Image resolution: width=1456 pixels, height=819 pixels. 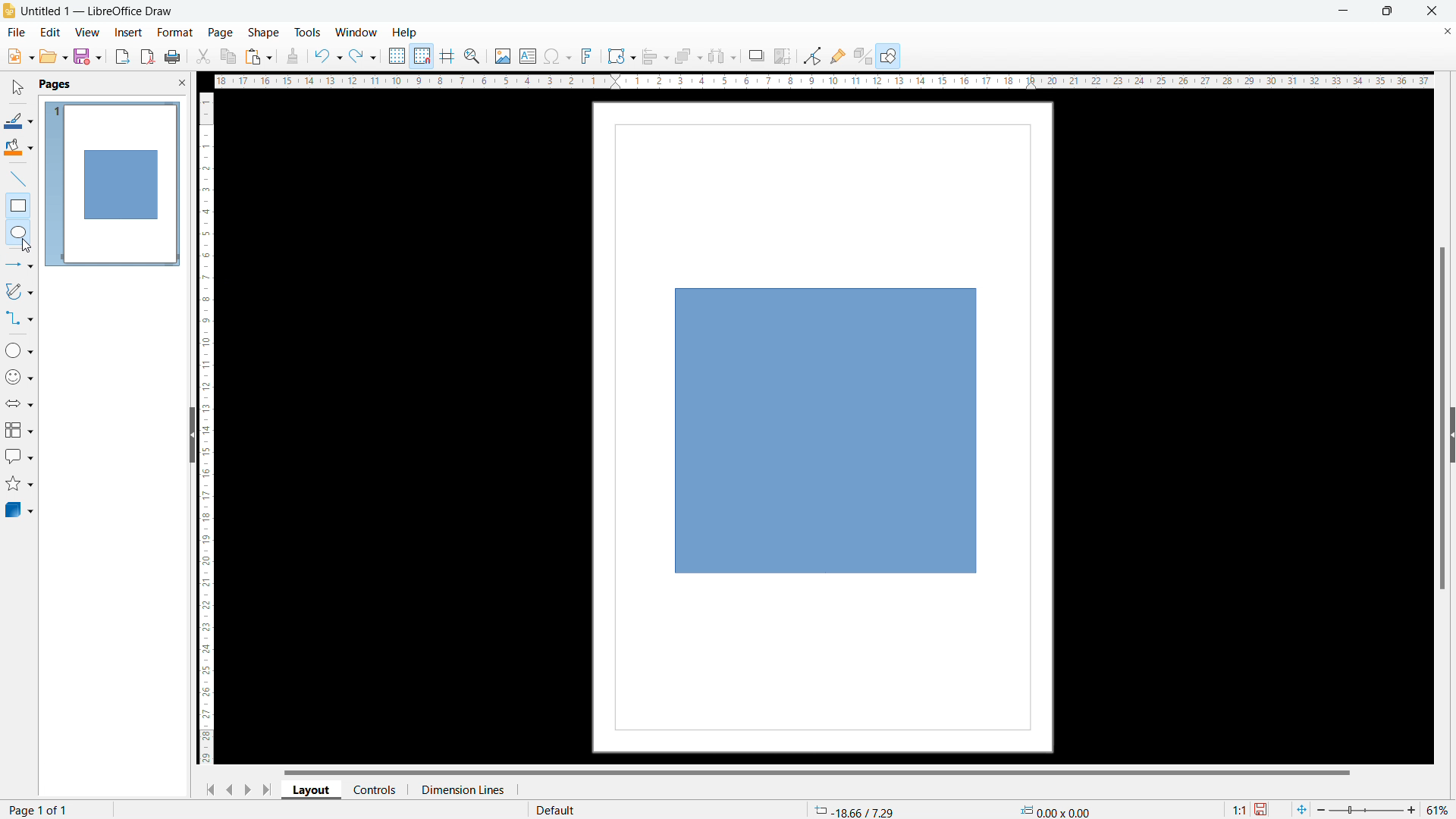 What do you see at coordinates (312, 790) in the screenshot?
I see `layout` at bounding box center [312, 790].